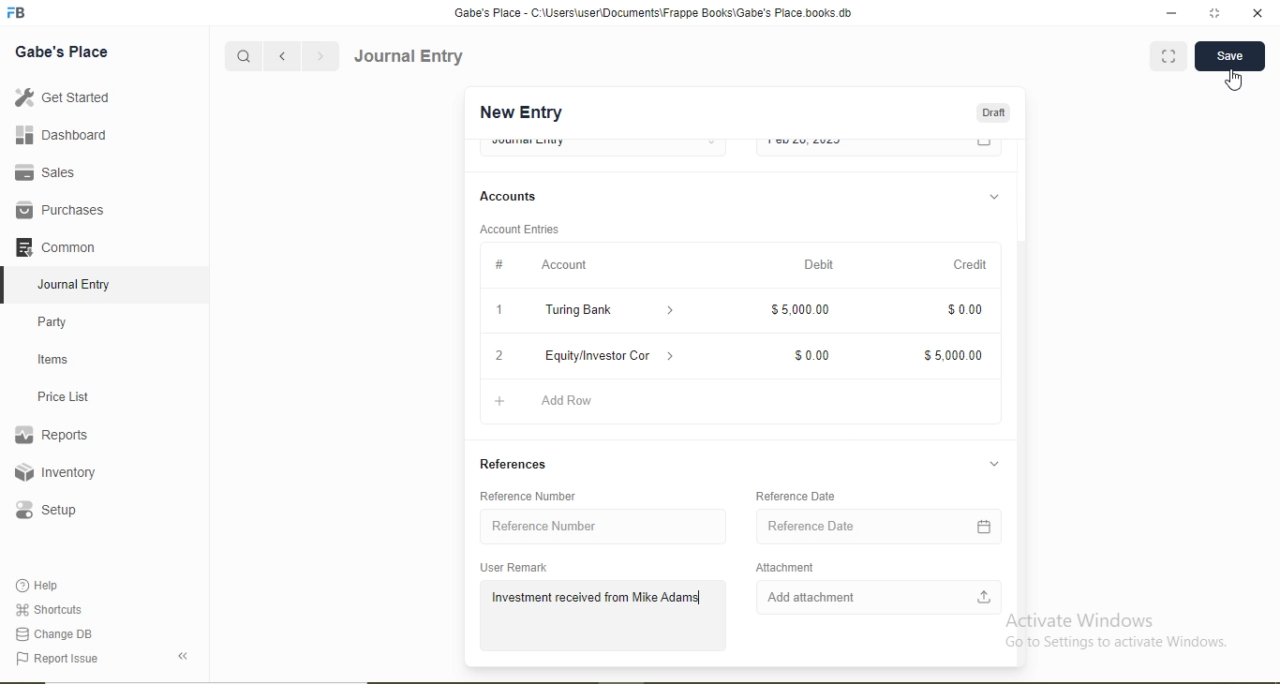 This screenshot has height=684, width=1280. I want to click on Purchases, so click(59, 210).